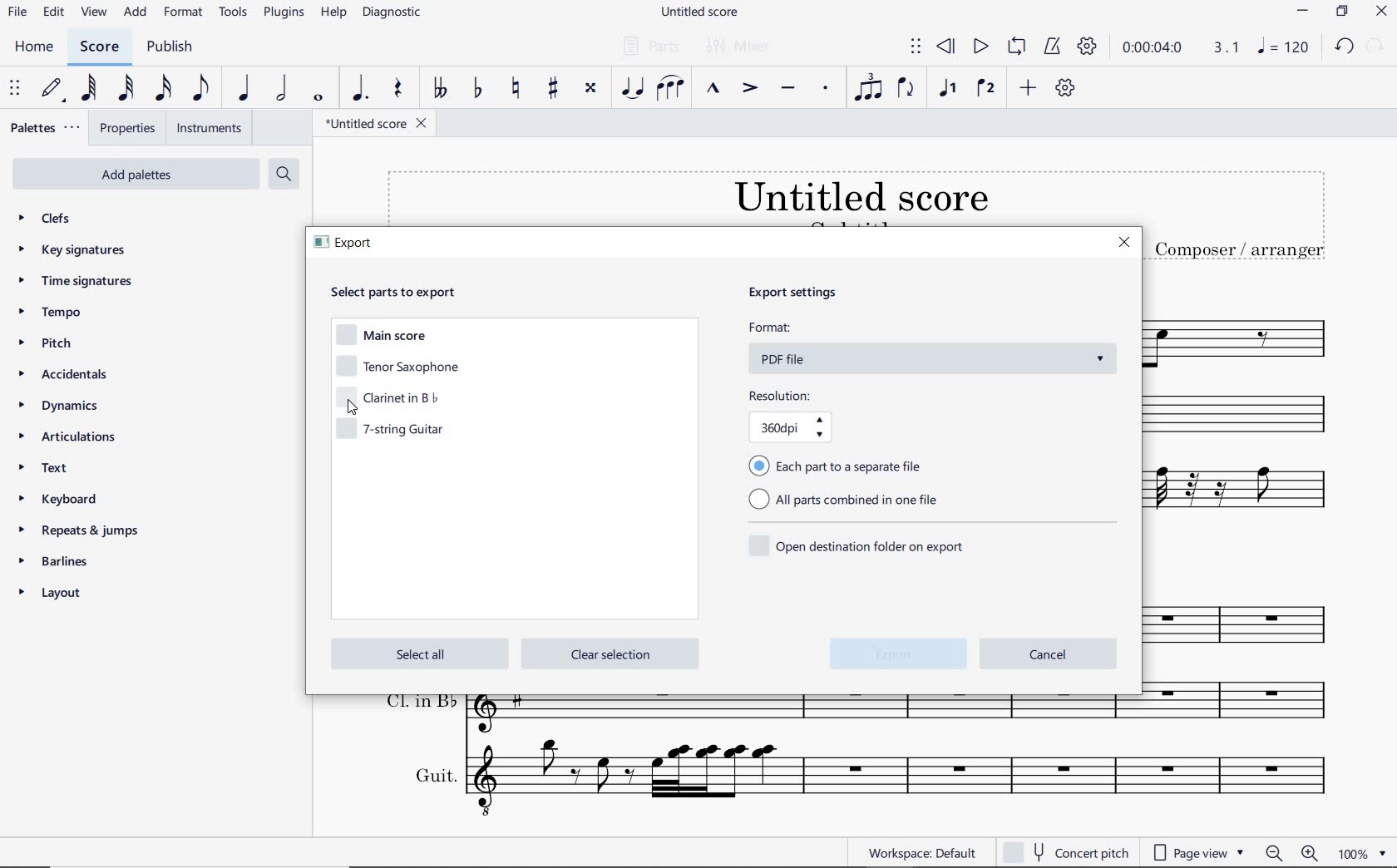 Image resolution: width=1397 pixels, height=868 pixels. What do you see at coordinates (1124, 244) in the screenshot?
I see `close` at bounding box center [1124, 244].